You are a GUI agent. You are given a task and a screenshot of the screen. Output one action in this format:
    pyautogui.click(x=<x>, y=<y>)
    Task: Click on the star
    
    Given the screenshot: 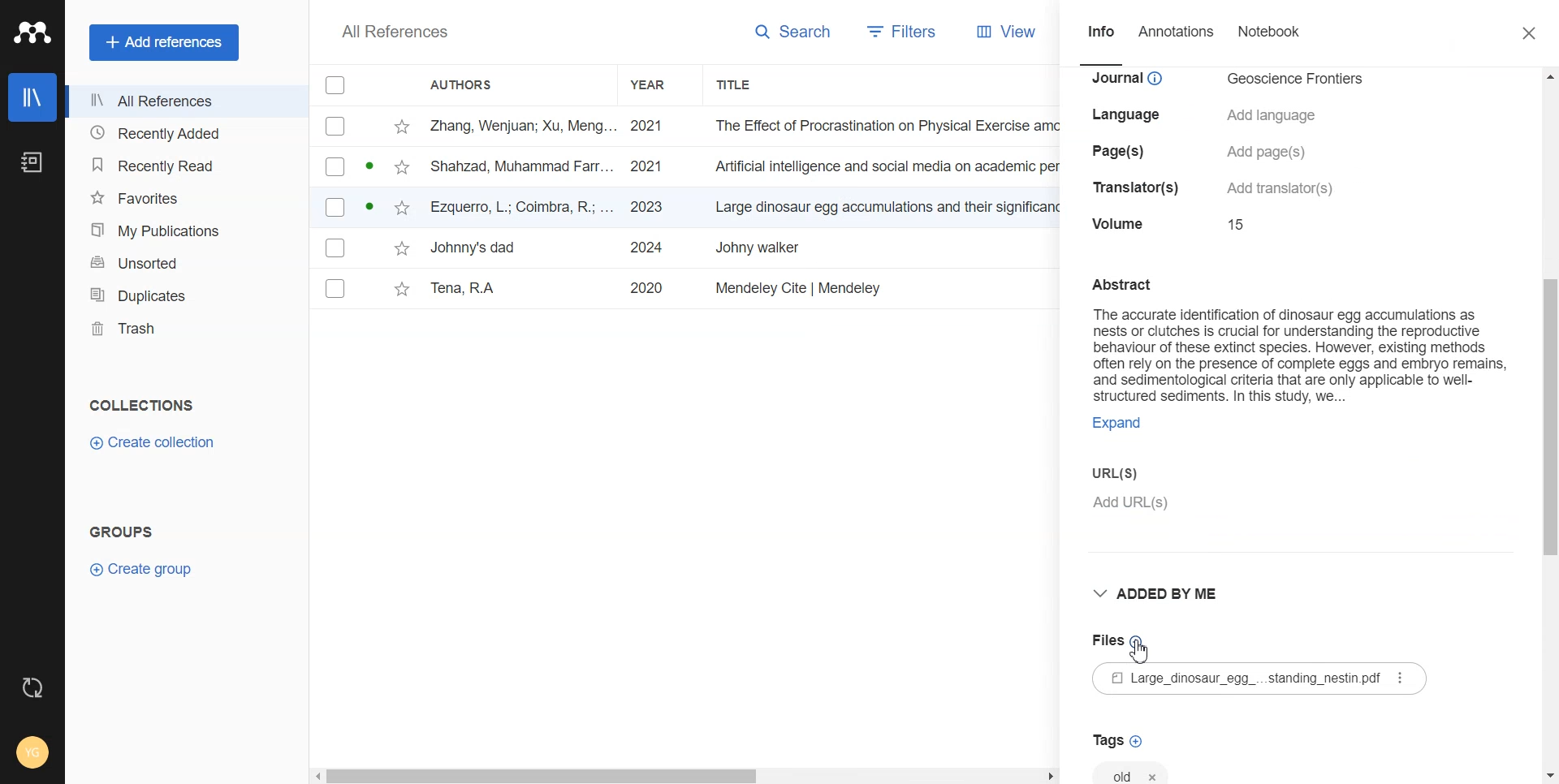 What is the action you would take?
    pyautogui.click(x=402, y=246)
    